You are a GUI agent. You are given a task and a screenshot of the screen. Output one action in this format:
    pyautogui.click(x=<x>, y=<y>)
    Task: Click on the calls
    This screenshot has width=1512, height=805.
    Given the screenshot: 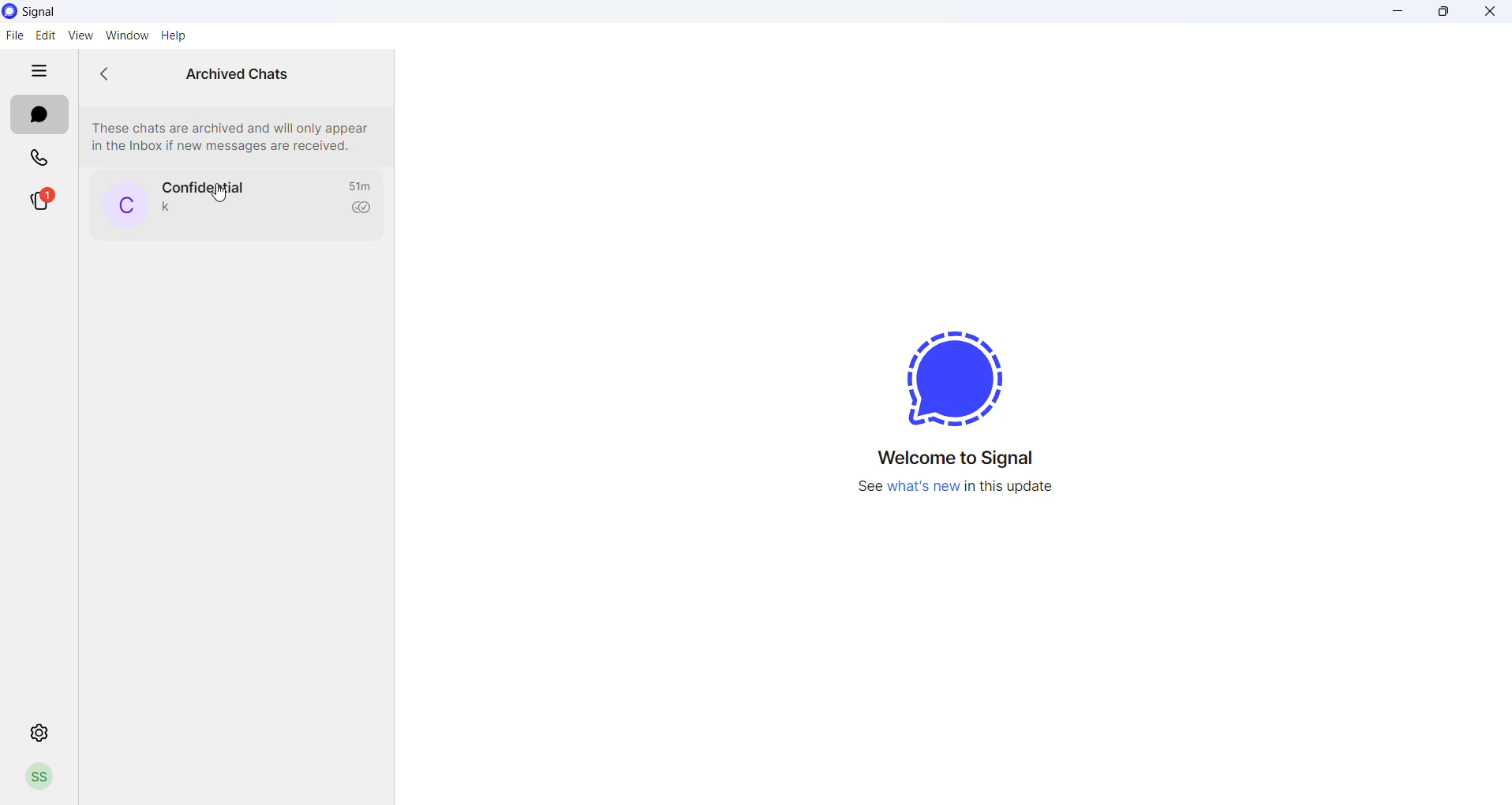 What is the action you would take?
    pyautogui.click(x=37, y=159)
    